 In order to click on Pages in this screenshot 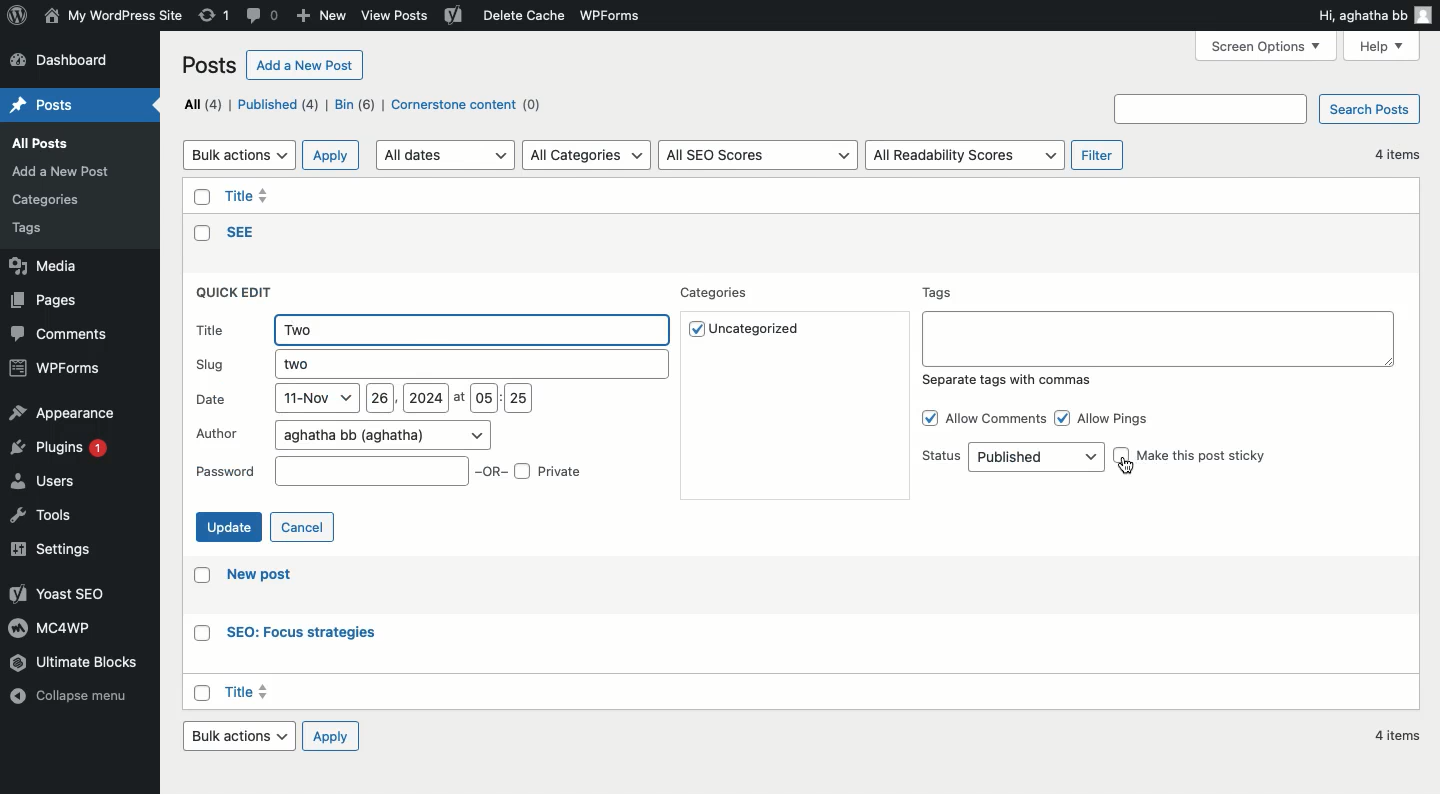, I will do `click(47, 301)`.